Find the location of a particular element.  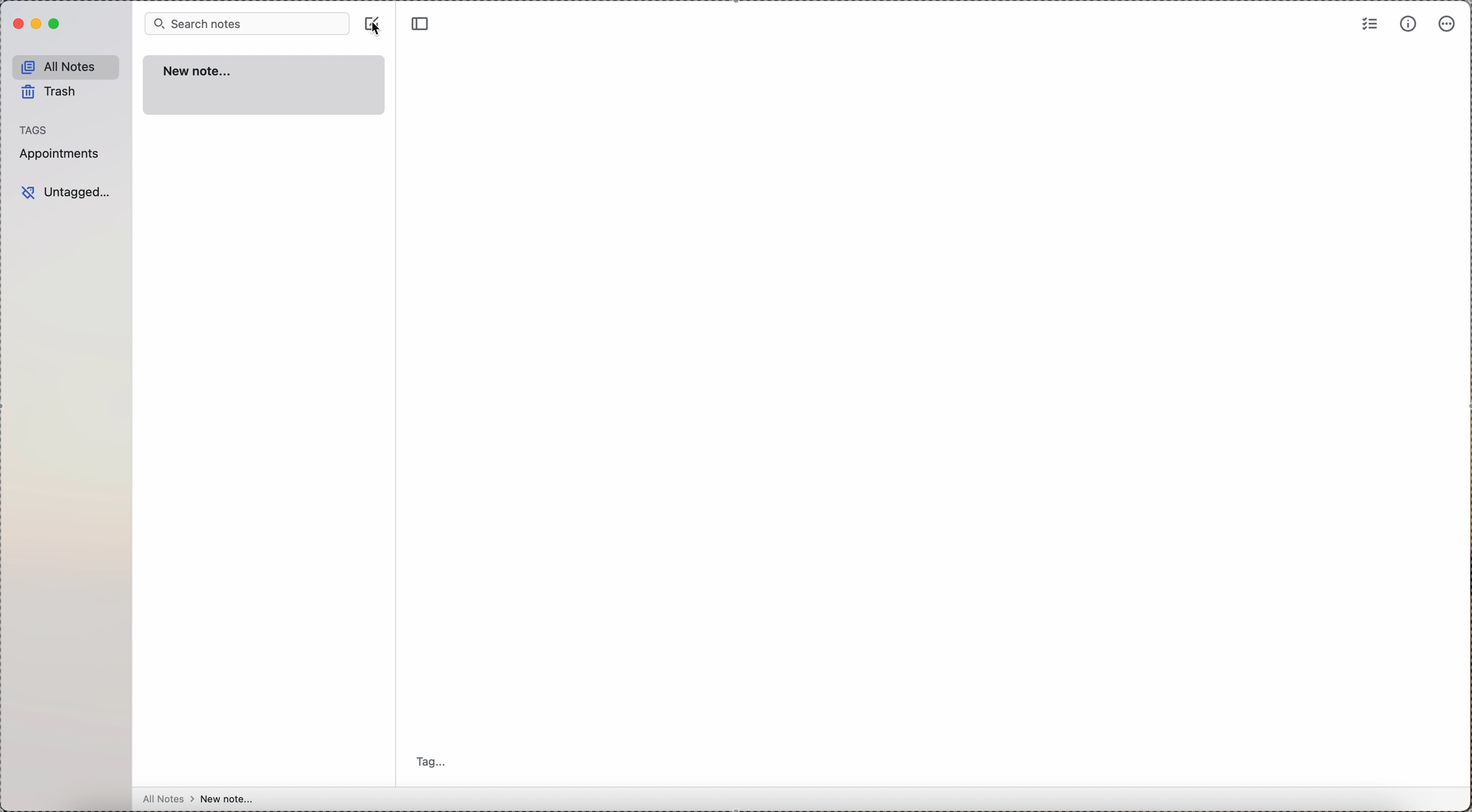

metrics is located at coordinates (1407, 25).